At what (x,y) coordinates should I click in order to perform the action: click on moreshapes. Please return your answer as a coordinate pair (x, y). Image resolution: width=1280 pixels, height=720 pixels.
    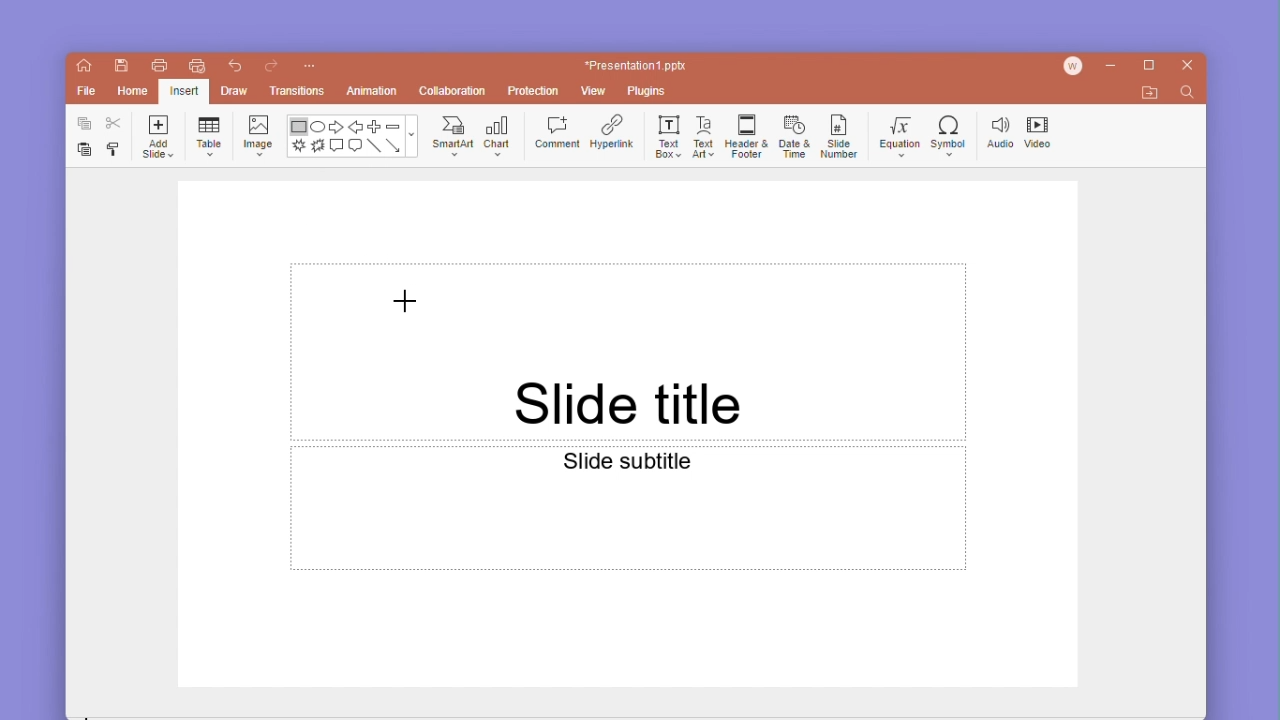
    Looking at the image, I should click on (415, 135).